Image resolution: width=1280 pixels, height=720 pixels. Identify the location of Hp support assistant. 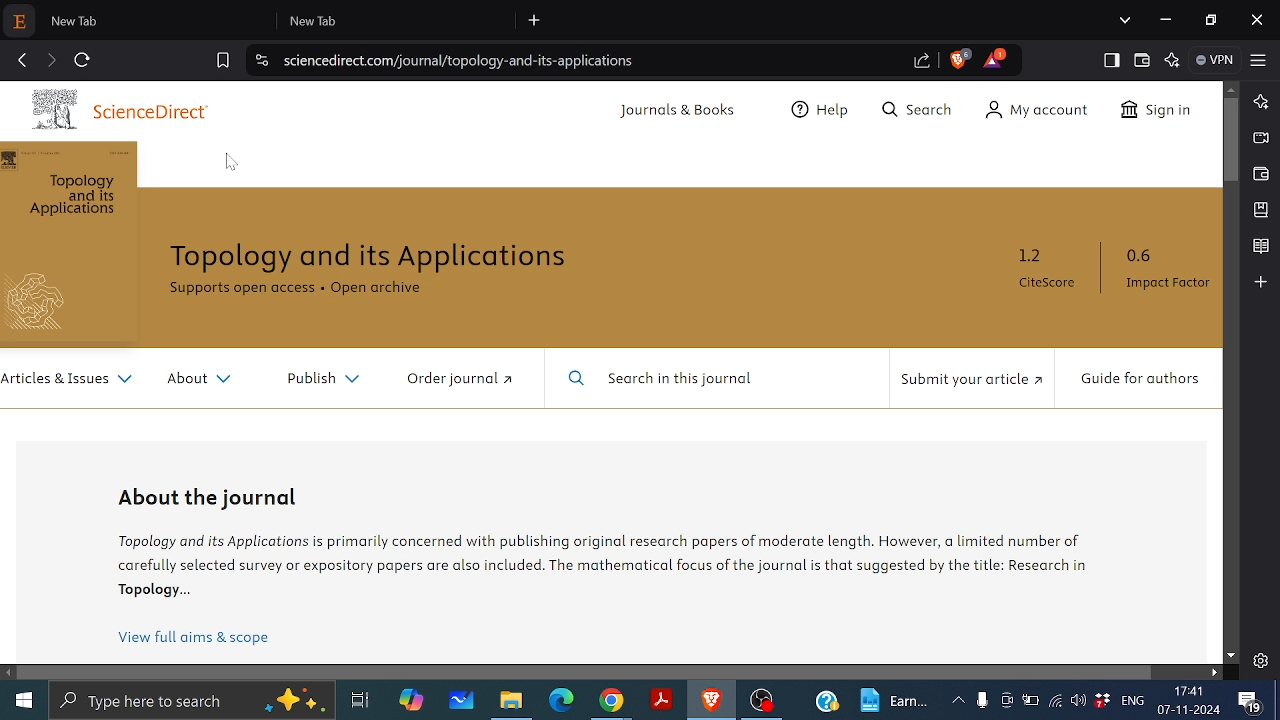
(827, 703).